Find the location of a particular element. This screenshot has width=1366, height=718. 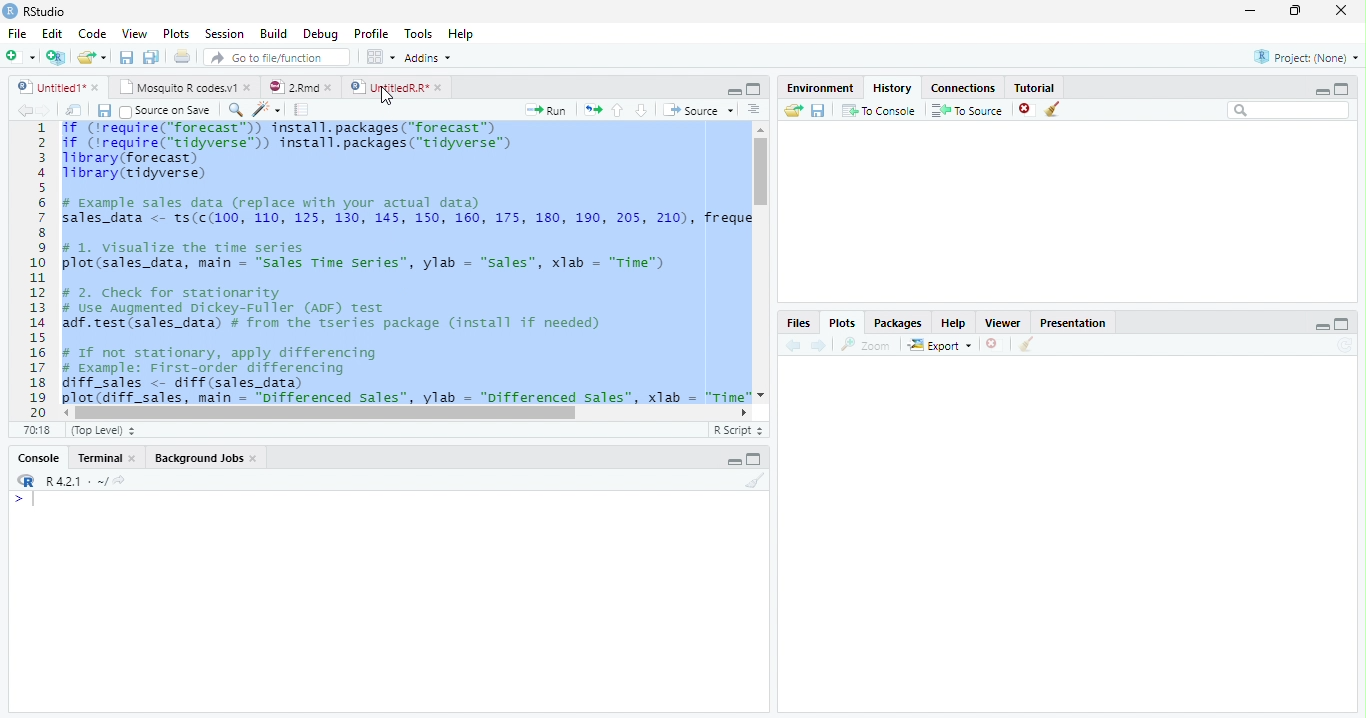

View is located at coordinates (133, 34).